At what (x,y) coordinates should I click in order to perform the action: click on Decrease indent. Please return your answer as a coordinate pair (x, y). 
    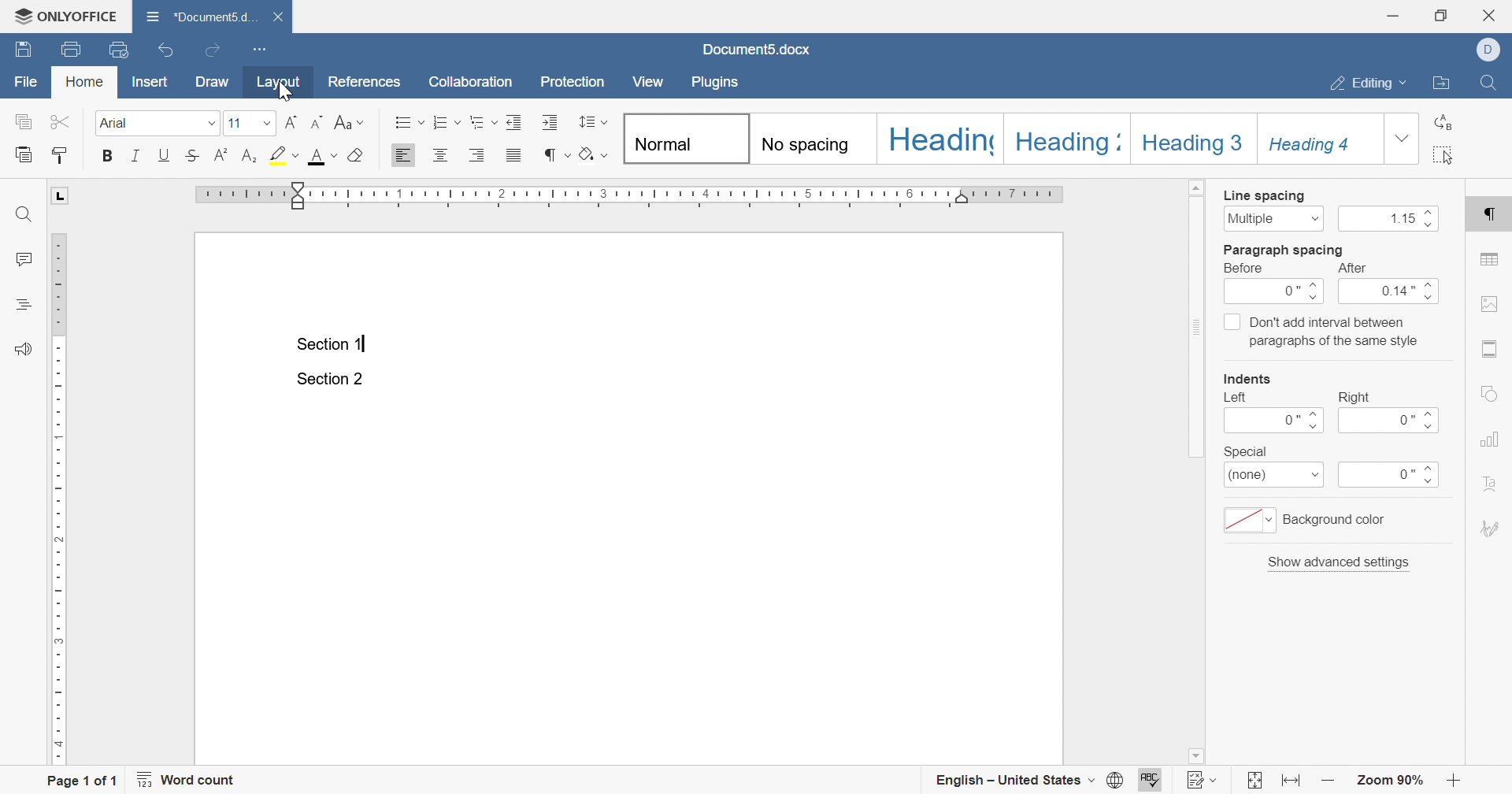
    Looking at the image, I should click on (517, 122).